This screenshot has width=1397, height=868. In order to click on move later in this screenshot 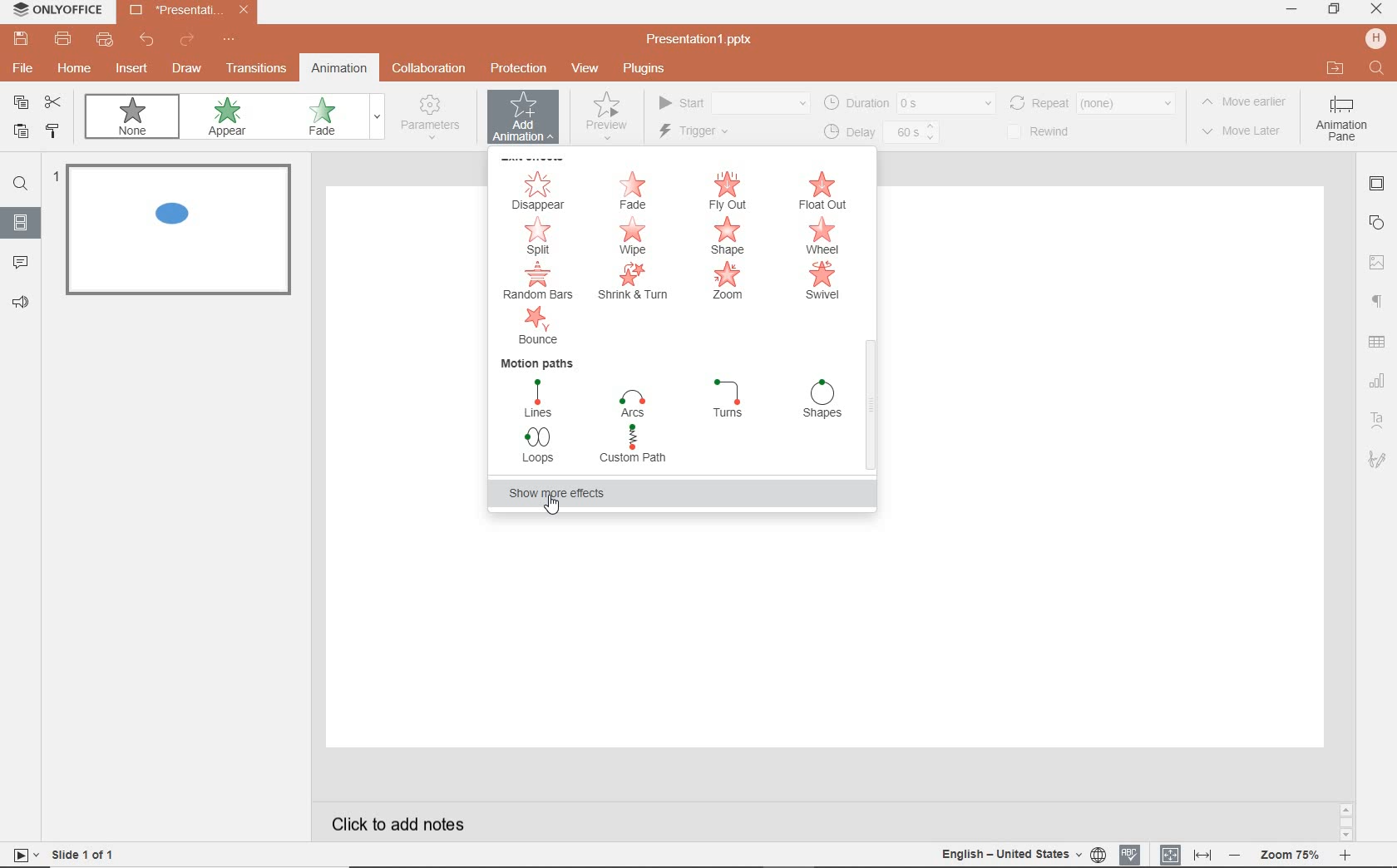, I will do `click(1246, 132)`.